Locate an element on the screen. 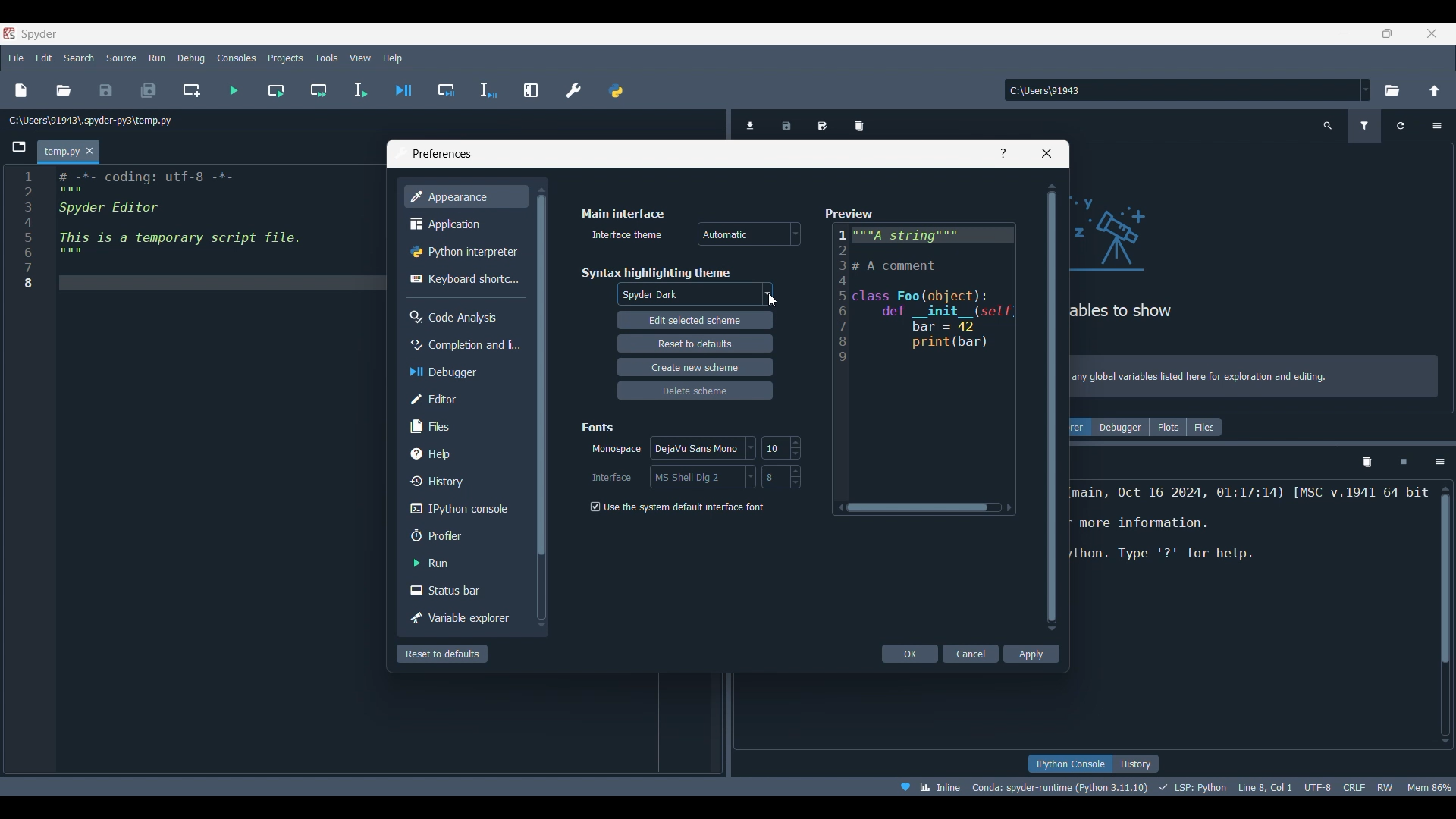  Variable explorer, current selection highlighted is located at coordinates (1081, 427).